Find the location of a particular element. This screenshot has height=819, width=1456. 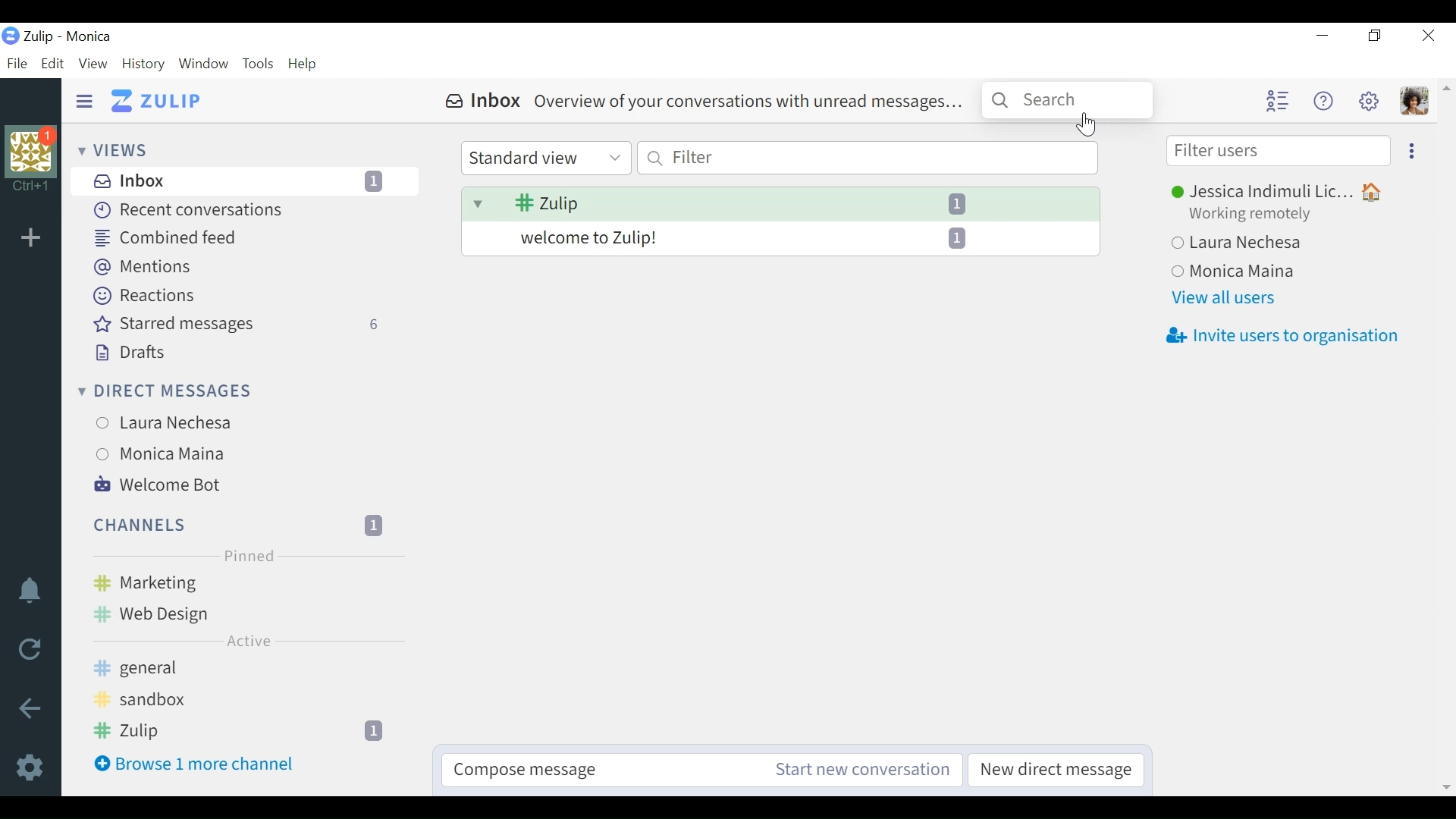

Combined feed is located at coordinates (169, 238).